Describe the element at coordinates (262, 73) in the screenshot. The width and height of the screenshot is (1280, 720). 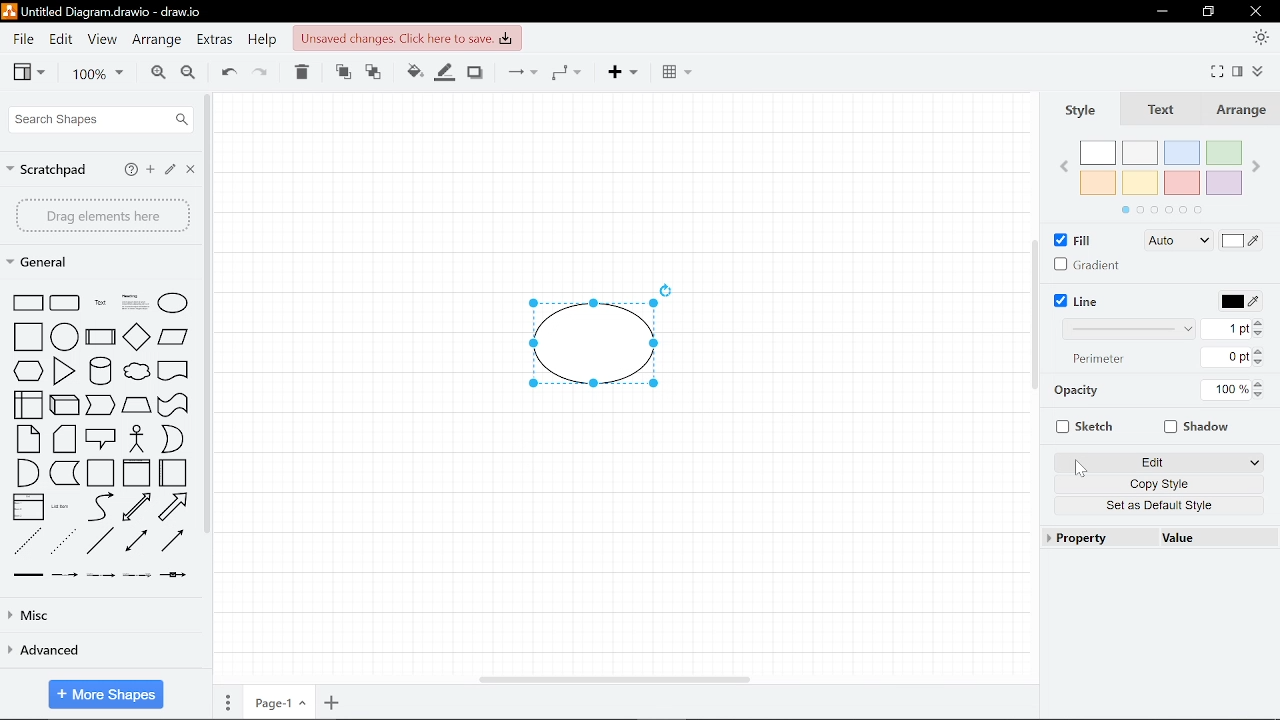
I see `Redo` at that location.